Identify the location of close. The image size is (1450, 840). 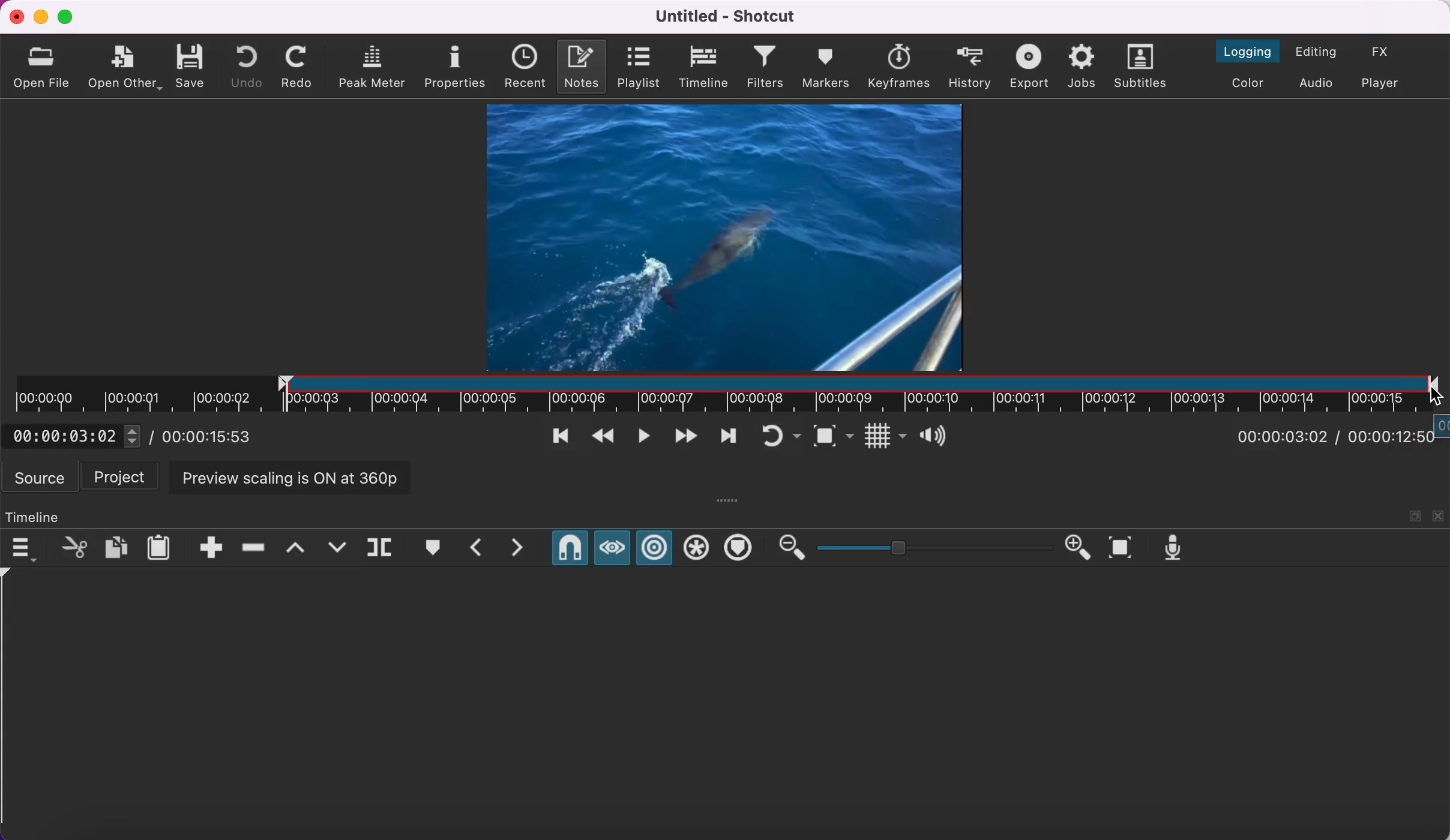
(1439, 515).